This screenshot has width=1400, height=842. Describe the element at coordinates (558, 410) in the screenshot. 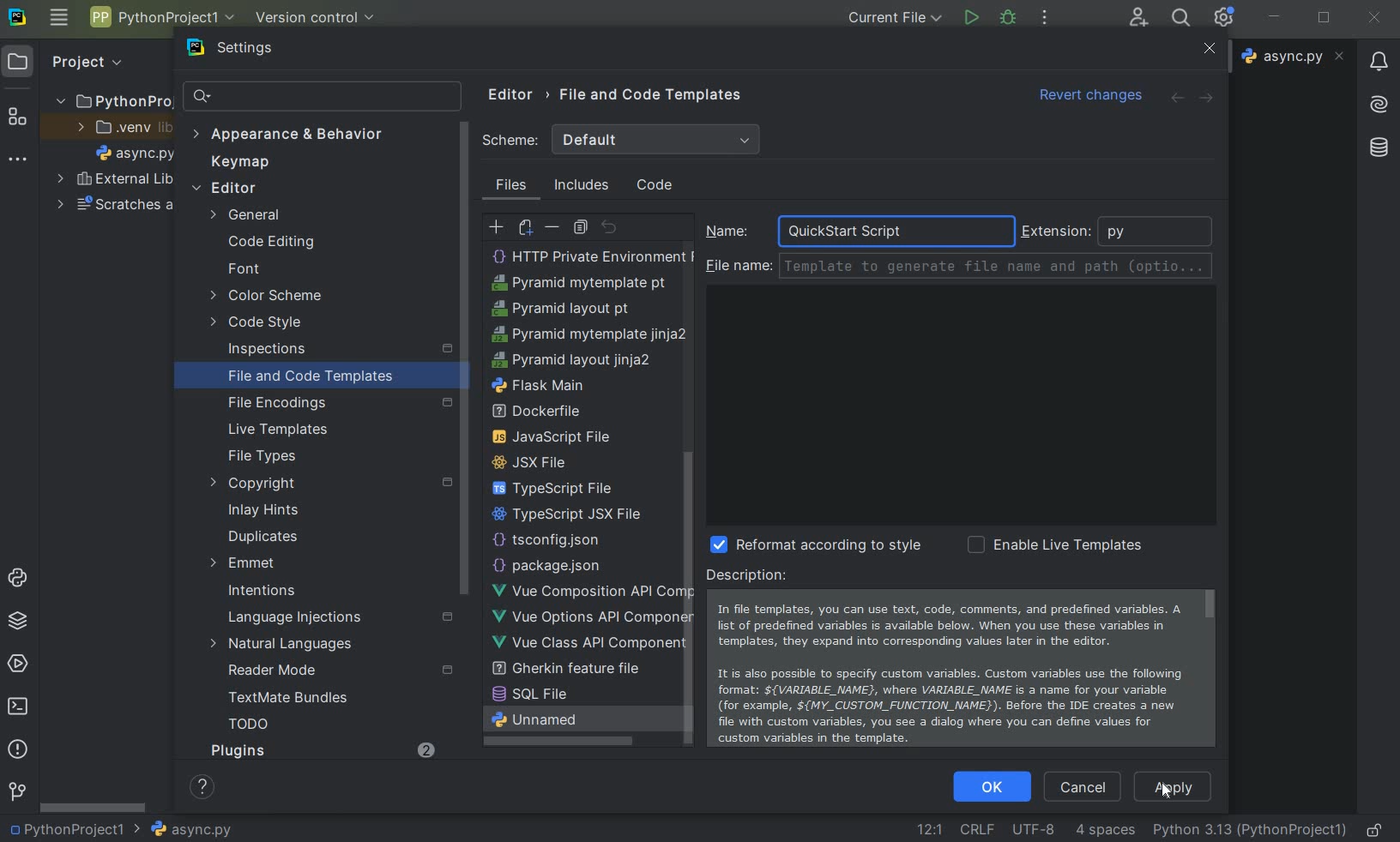

I see `python unit test` at that location.